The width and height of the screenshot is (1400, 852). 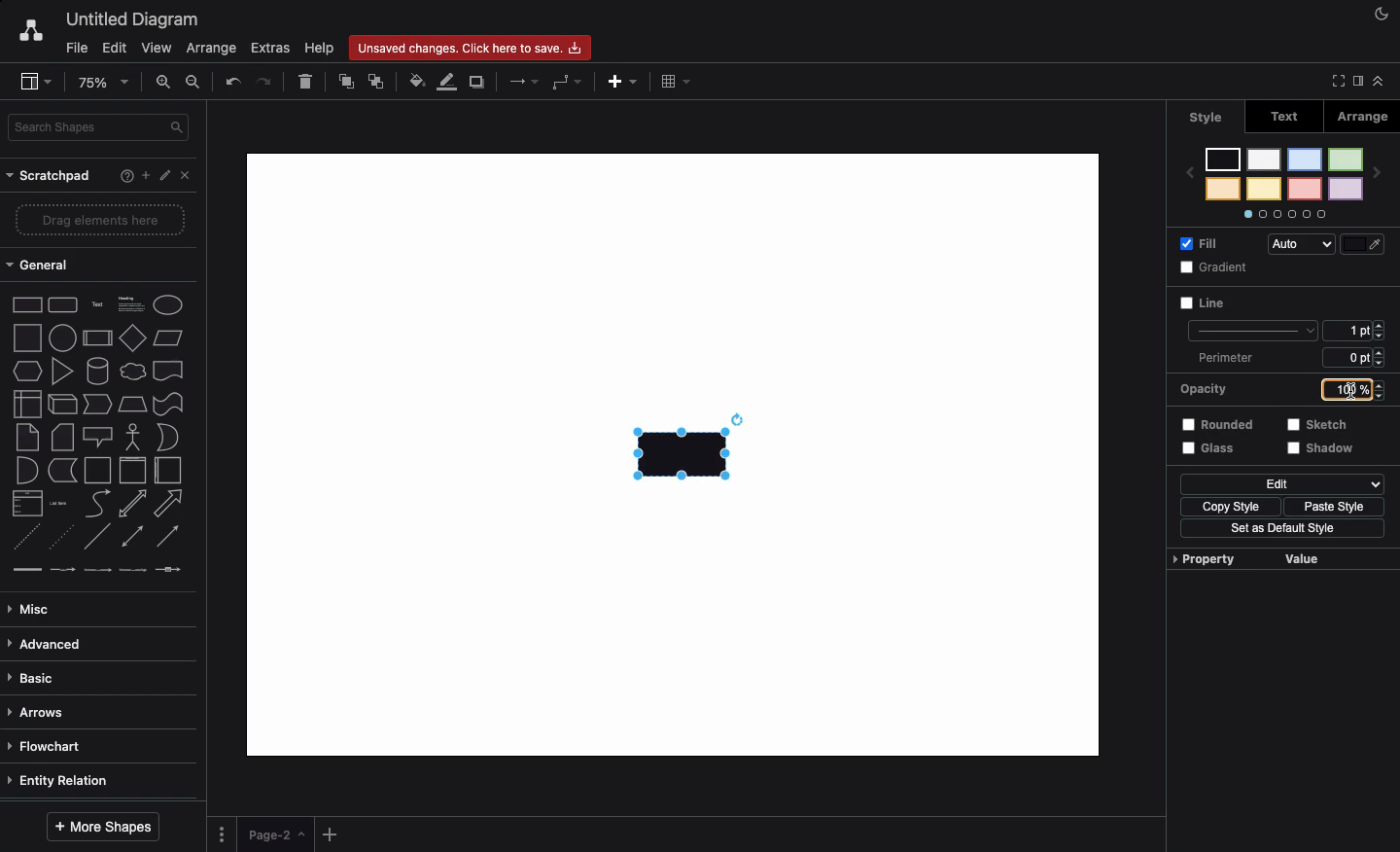 I want to click on Unsaved, so click(x=471, y=50).